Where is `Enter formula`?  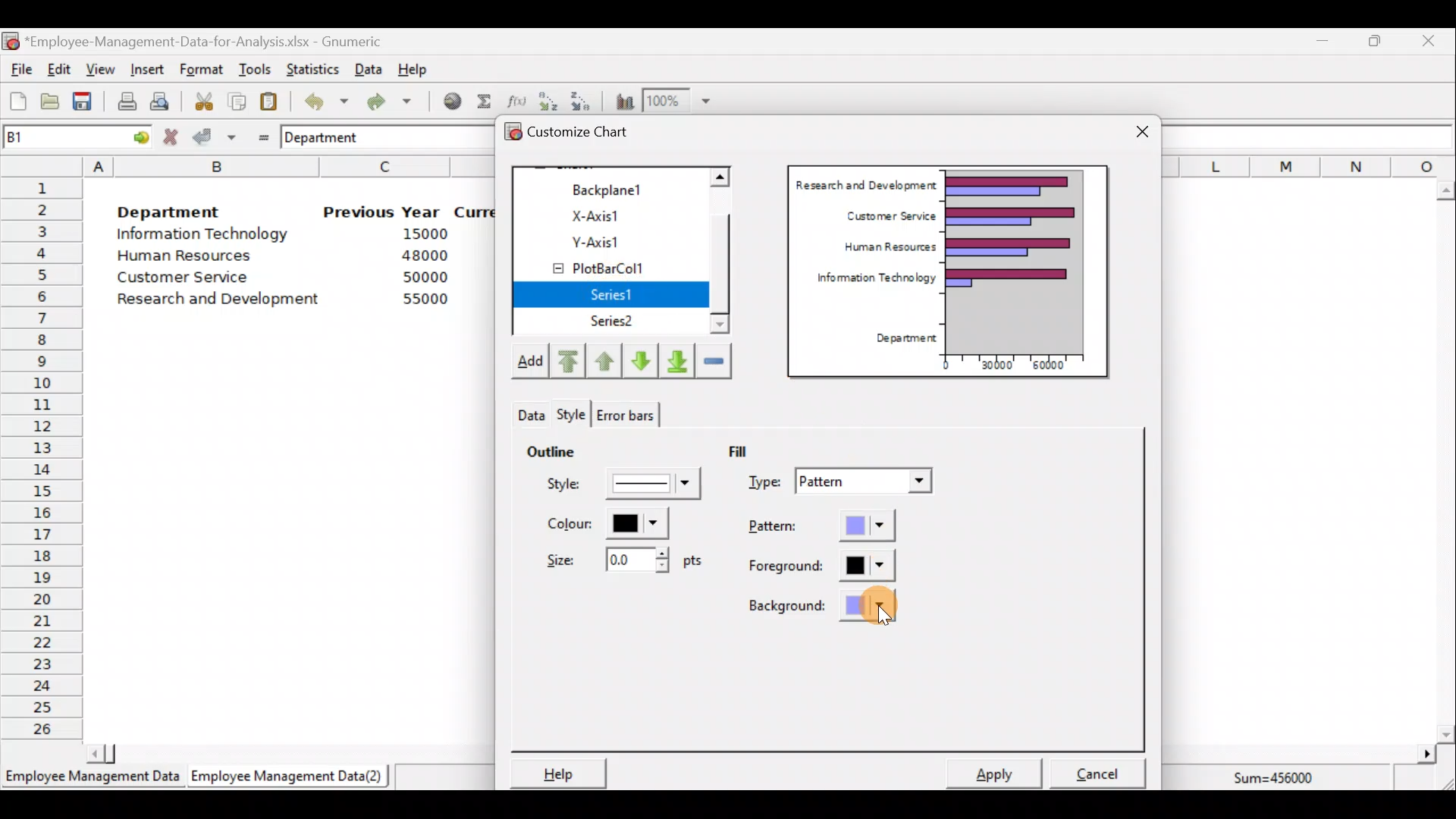 Enter formula is located at coordinates (259, 134).